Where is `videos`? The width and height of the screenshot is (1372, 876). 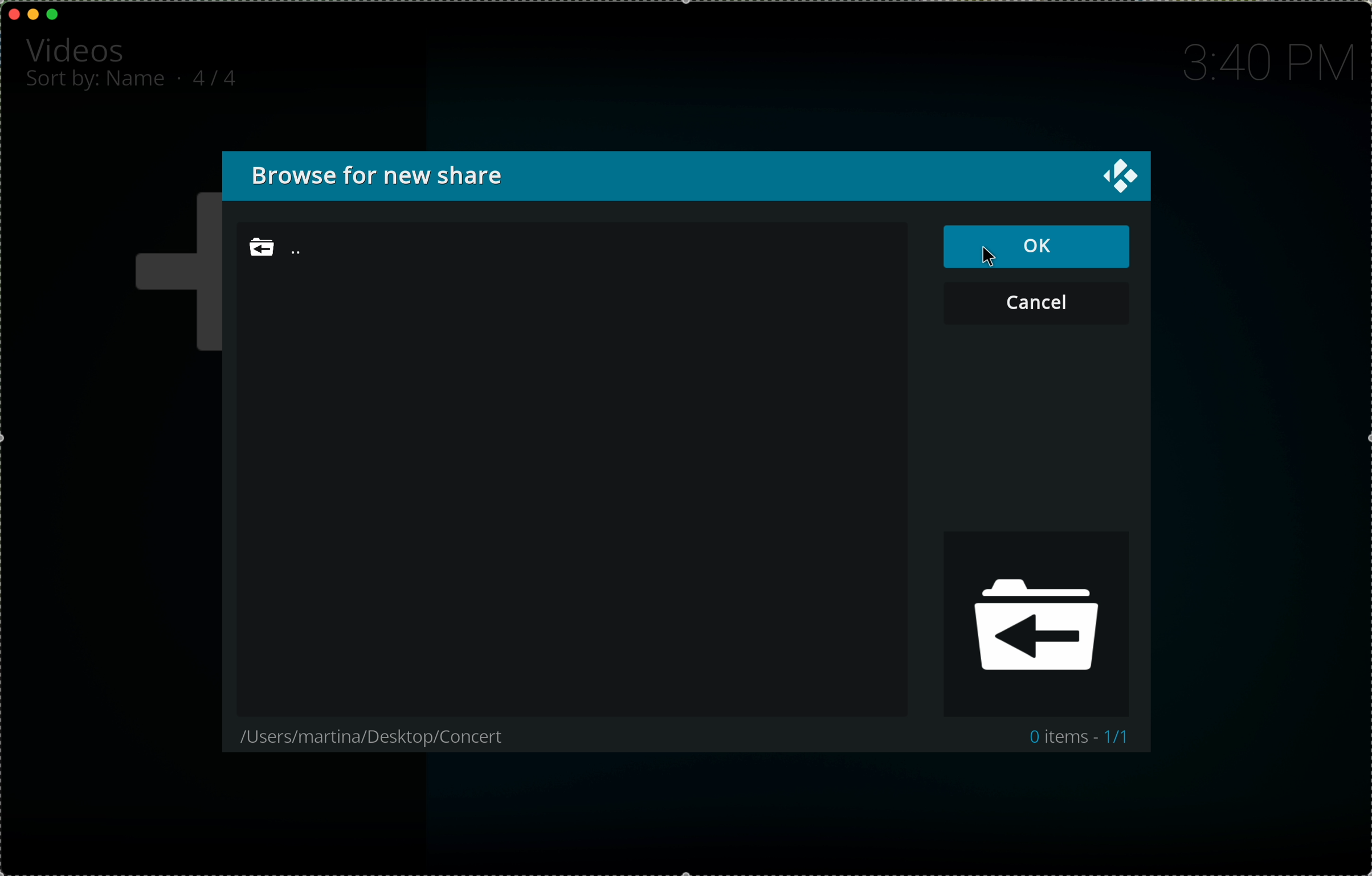 videos is located at coordinates (78, 48).